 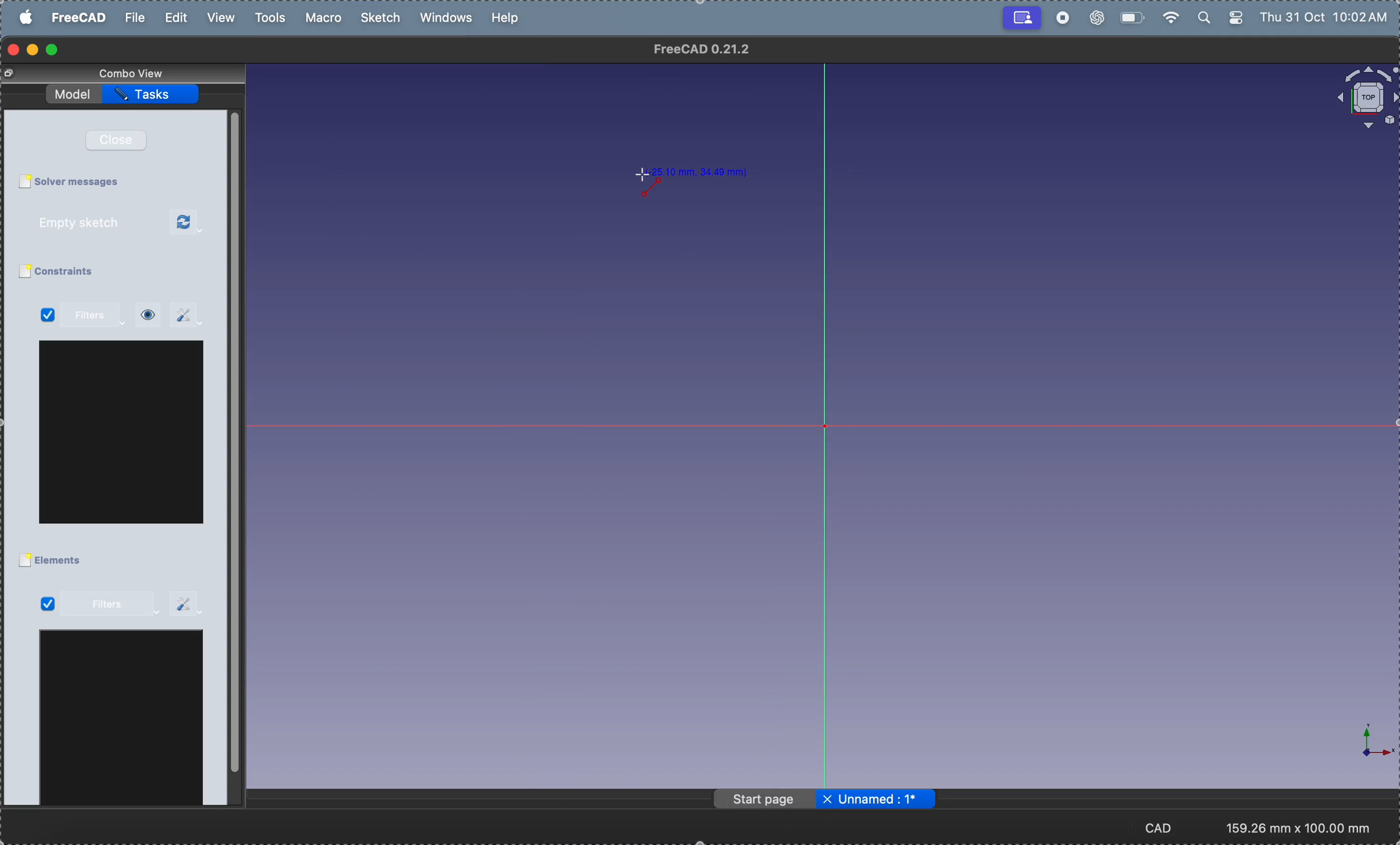 What do you see at coordinates (110, 605) in the screenshot?
I see `filters` at bounding box center [110, 605].